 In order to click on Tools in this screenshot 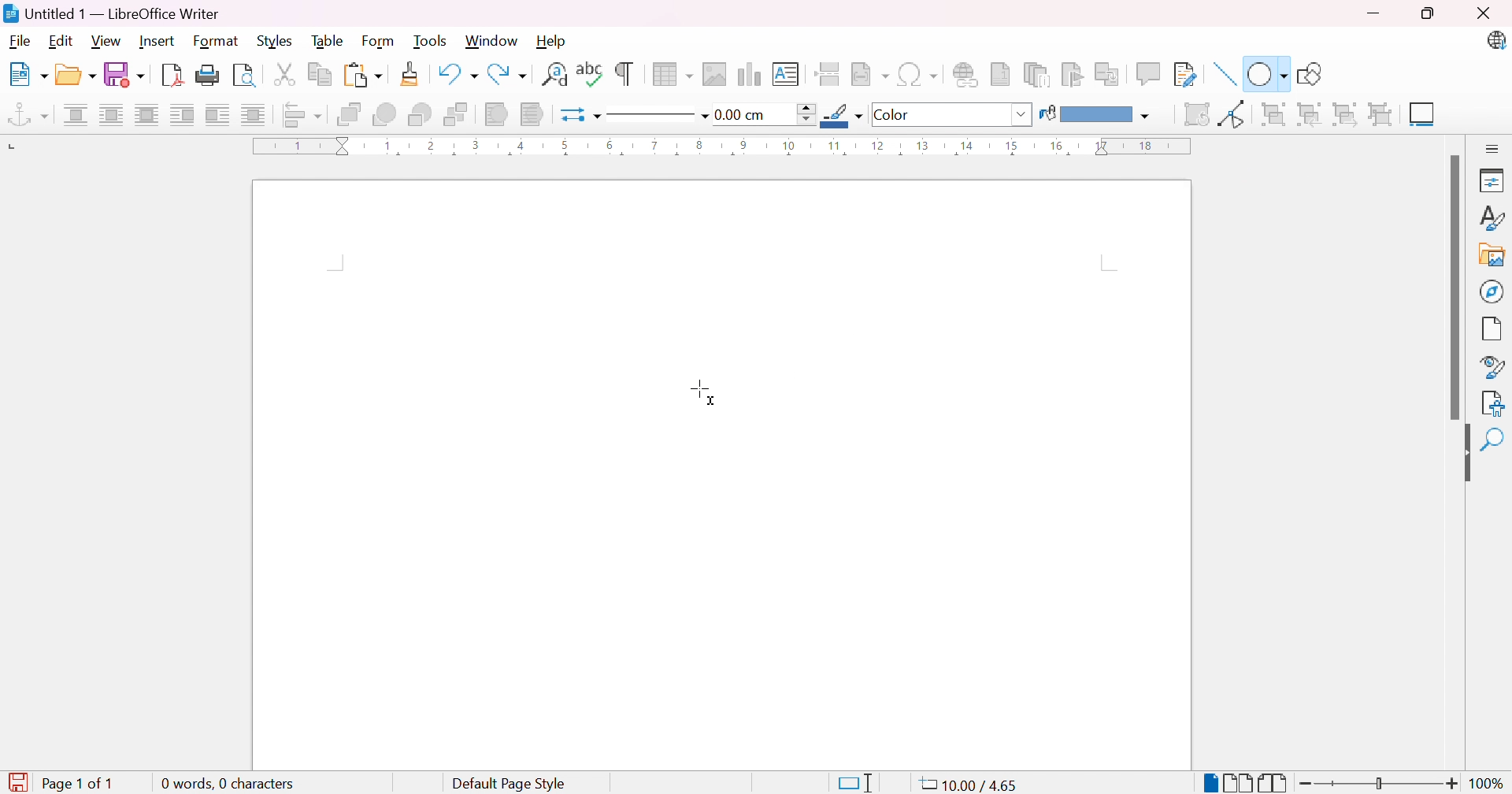, I will do `click(432, 42)`.